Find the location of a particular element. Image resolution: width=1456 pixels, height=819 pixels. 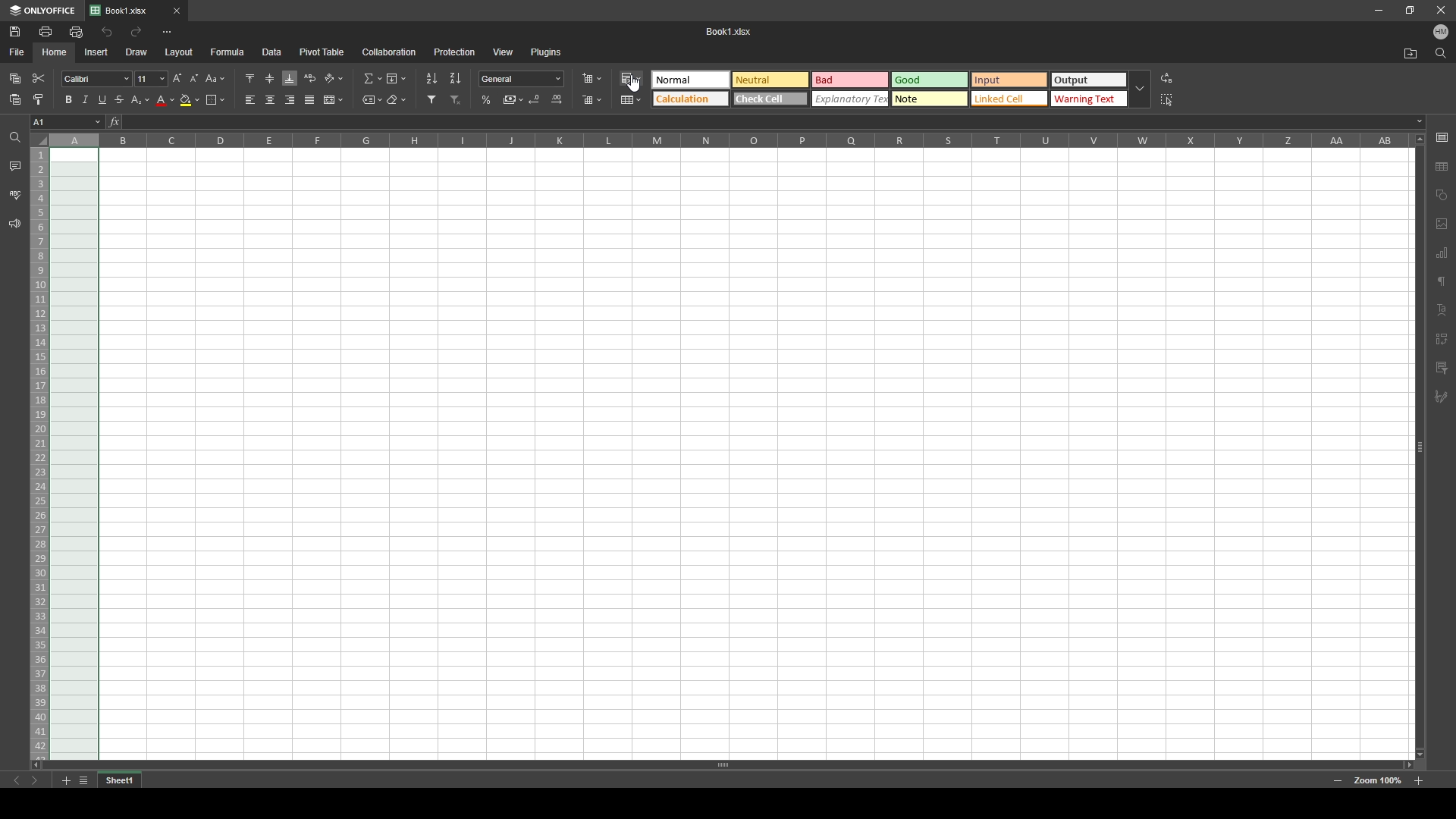

spell check is located at coordinates (16, 195).